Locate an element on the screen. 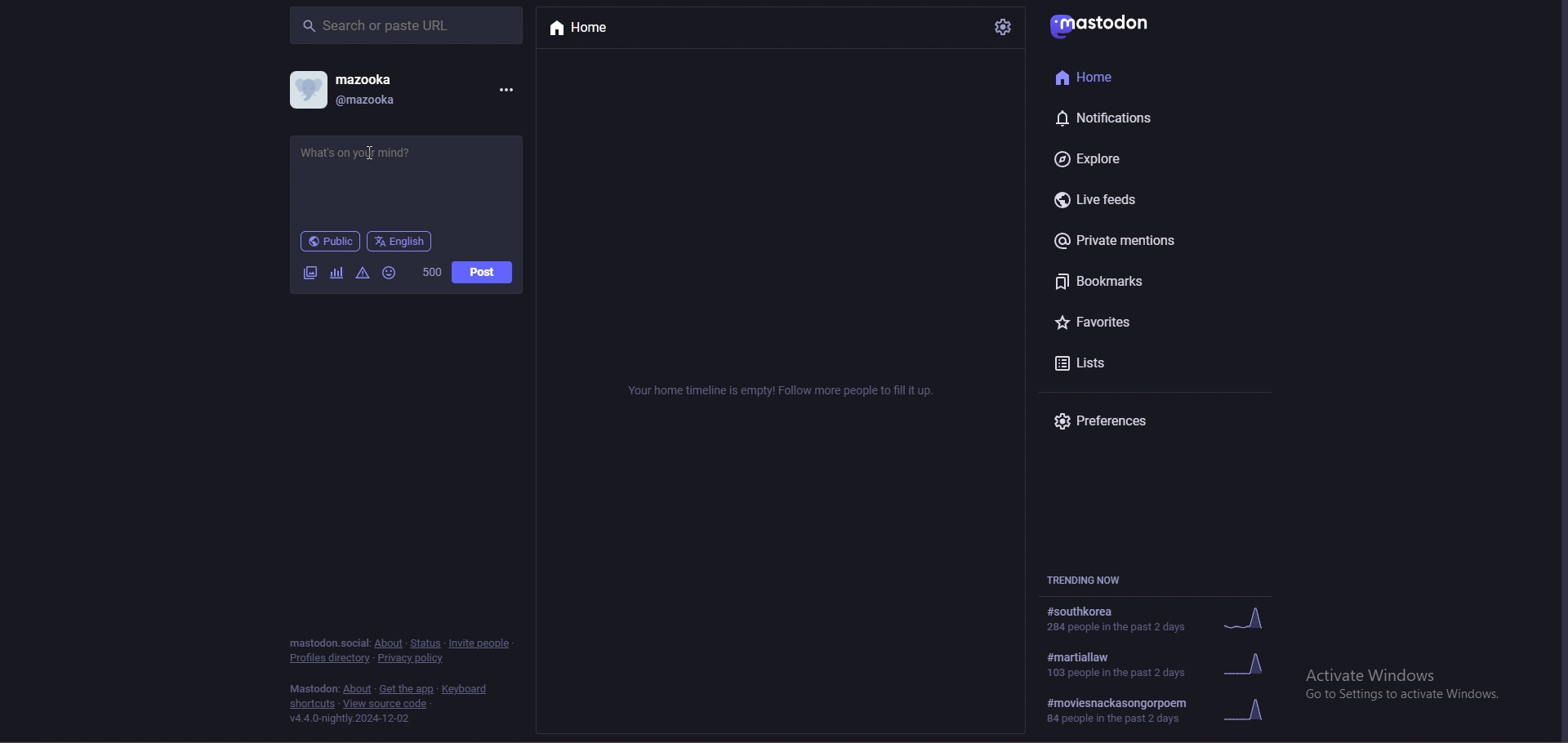 The width and height of the screenshot is (1568, 743). profiles directory is located at coordinates (329, 658).